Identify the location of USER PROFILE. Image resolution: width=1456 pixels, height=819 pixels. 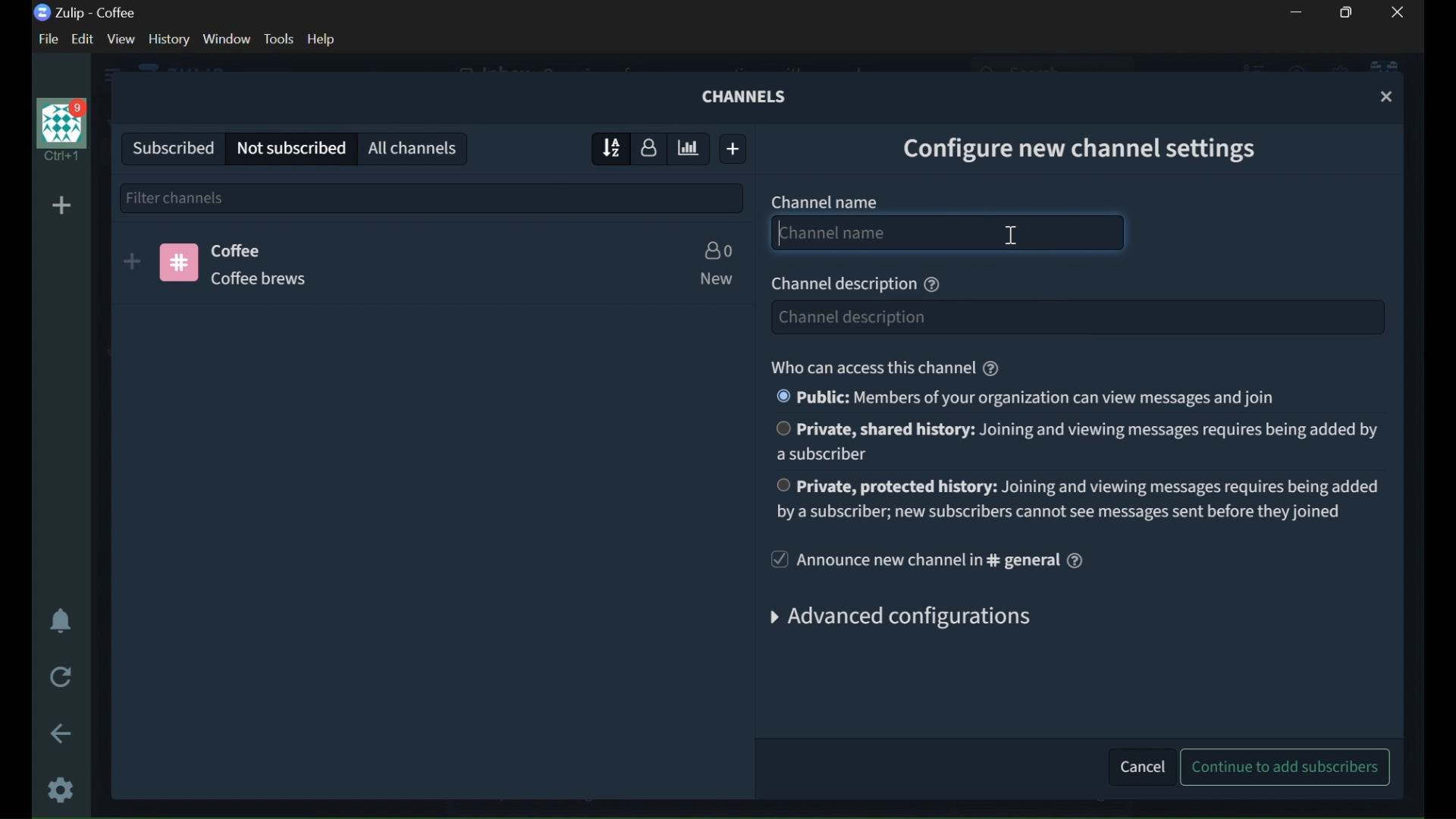
(59, 130).